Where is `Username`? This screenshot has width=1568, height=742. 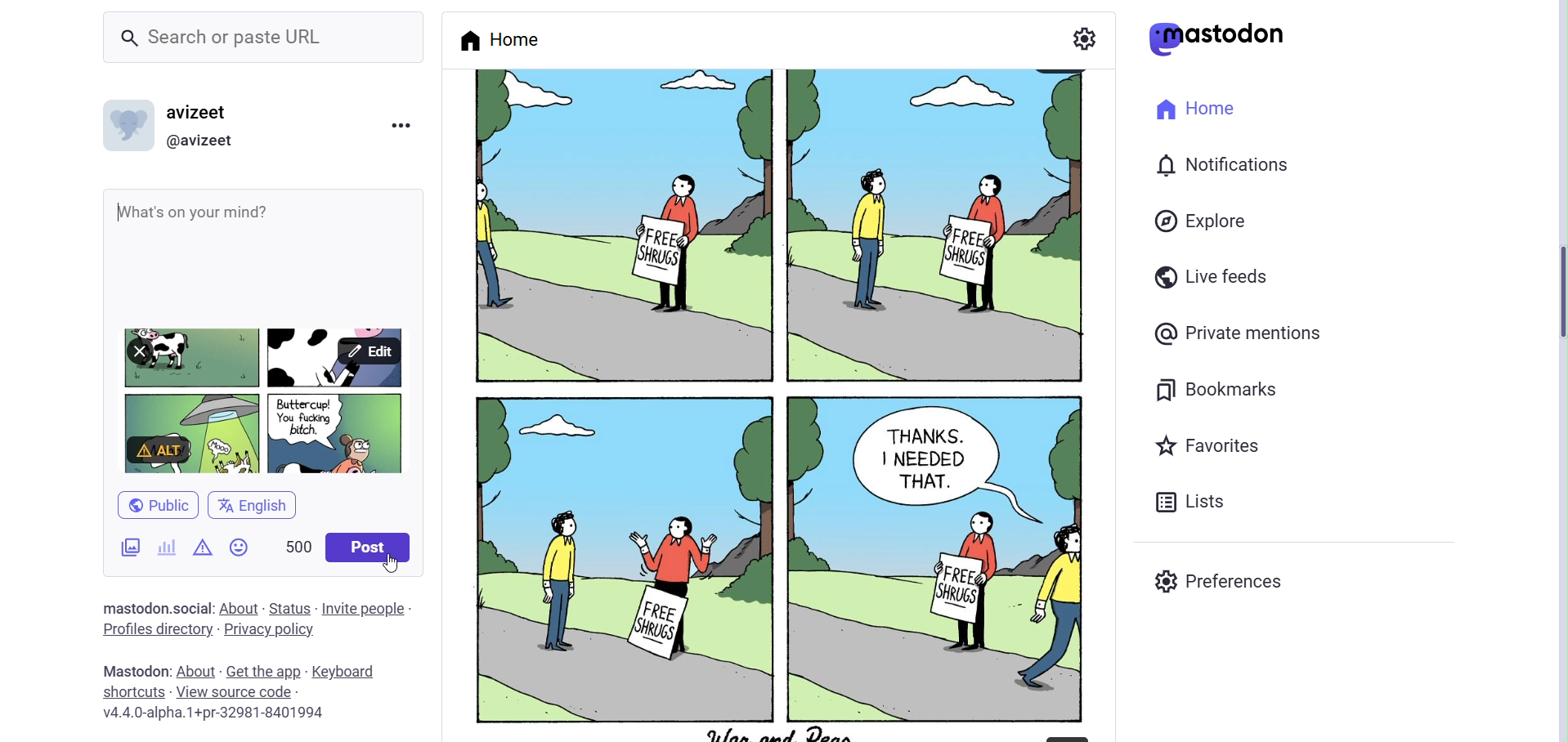
Username is located at coordinates (206, 110).